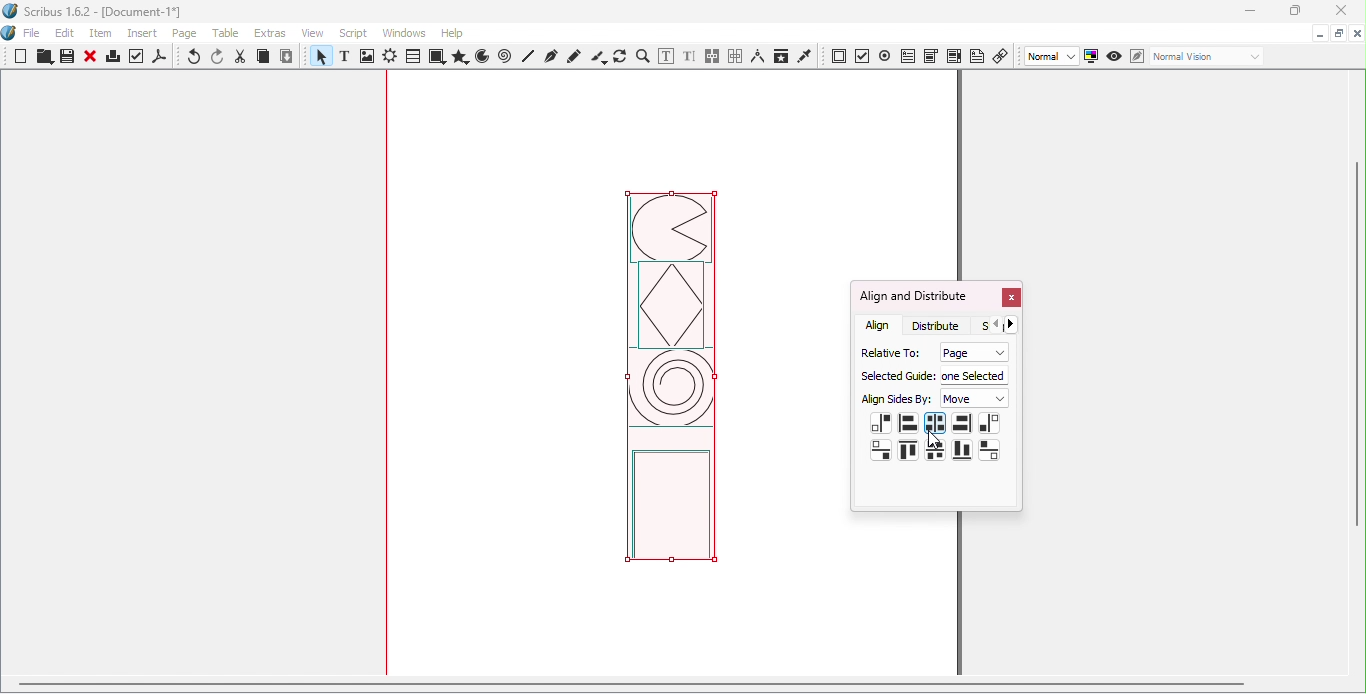 This screenshot has width=1366, height=694. What do you see at coordinates (412, 57) in the screenshot?
I see `Table` at bounding box center [412, 57].